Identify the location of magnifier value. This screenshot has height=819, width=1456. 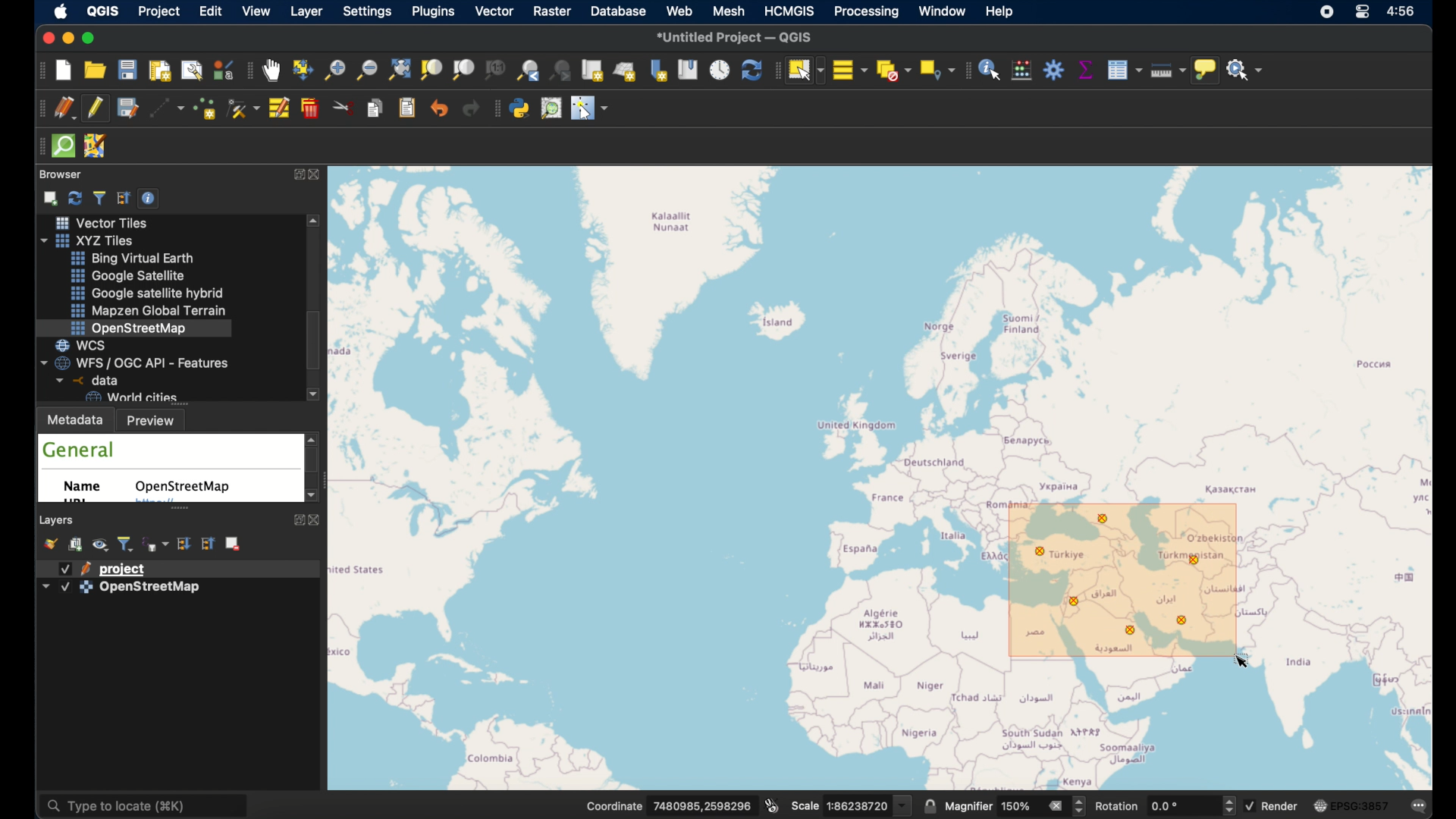
(1016, 805).